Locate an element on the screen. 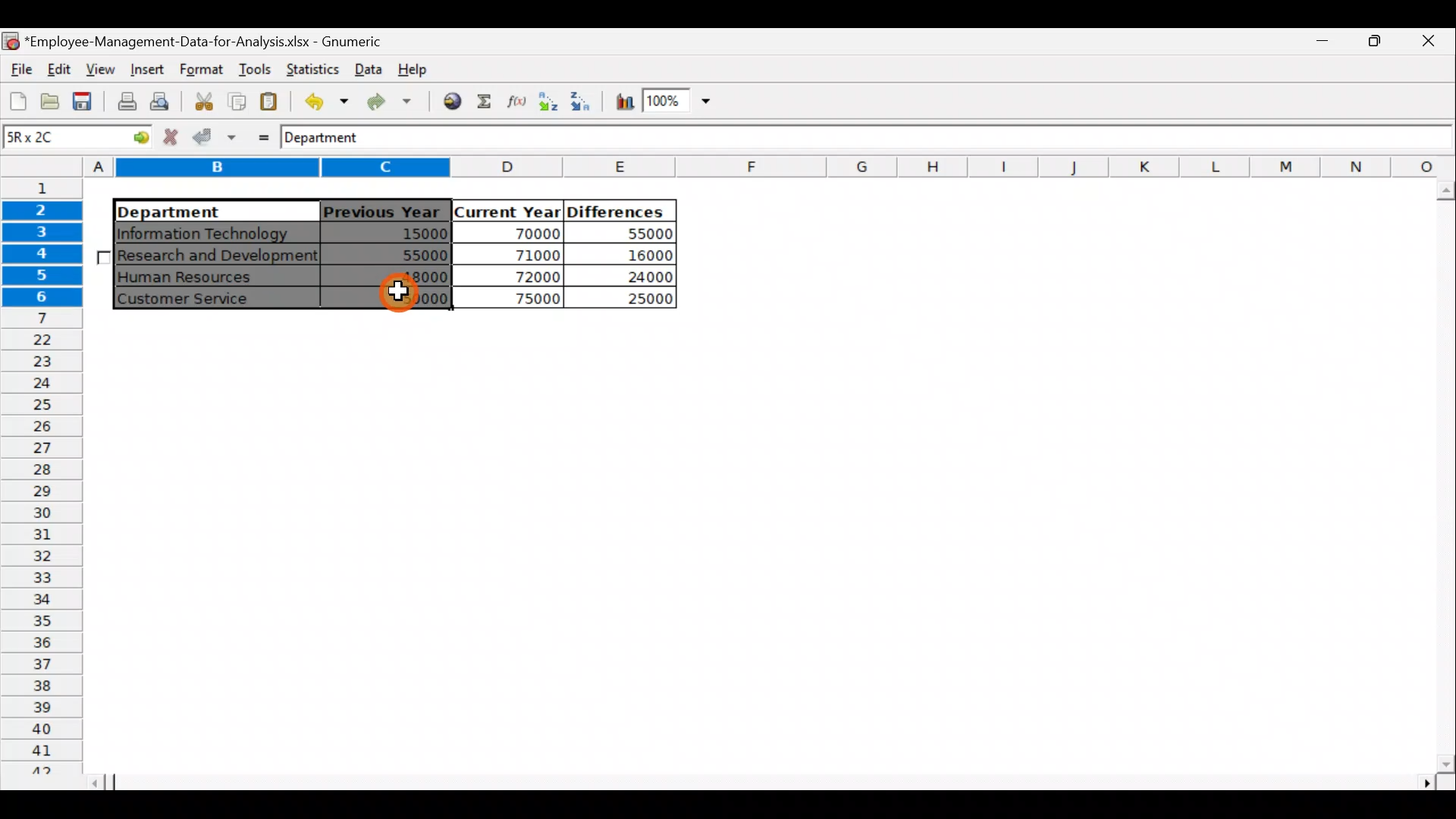  Insert a chart is located at coordinates (623, 102).